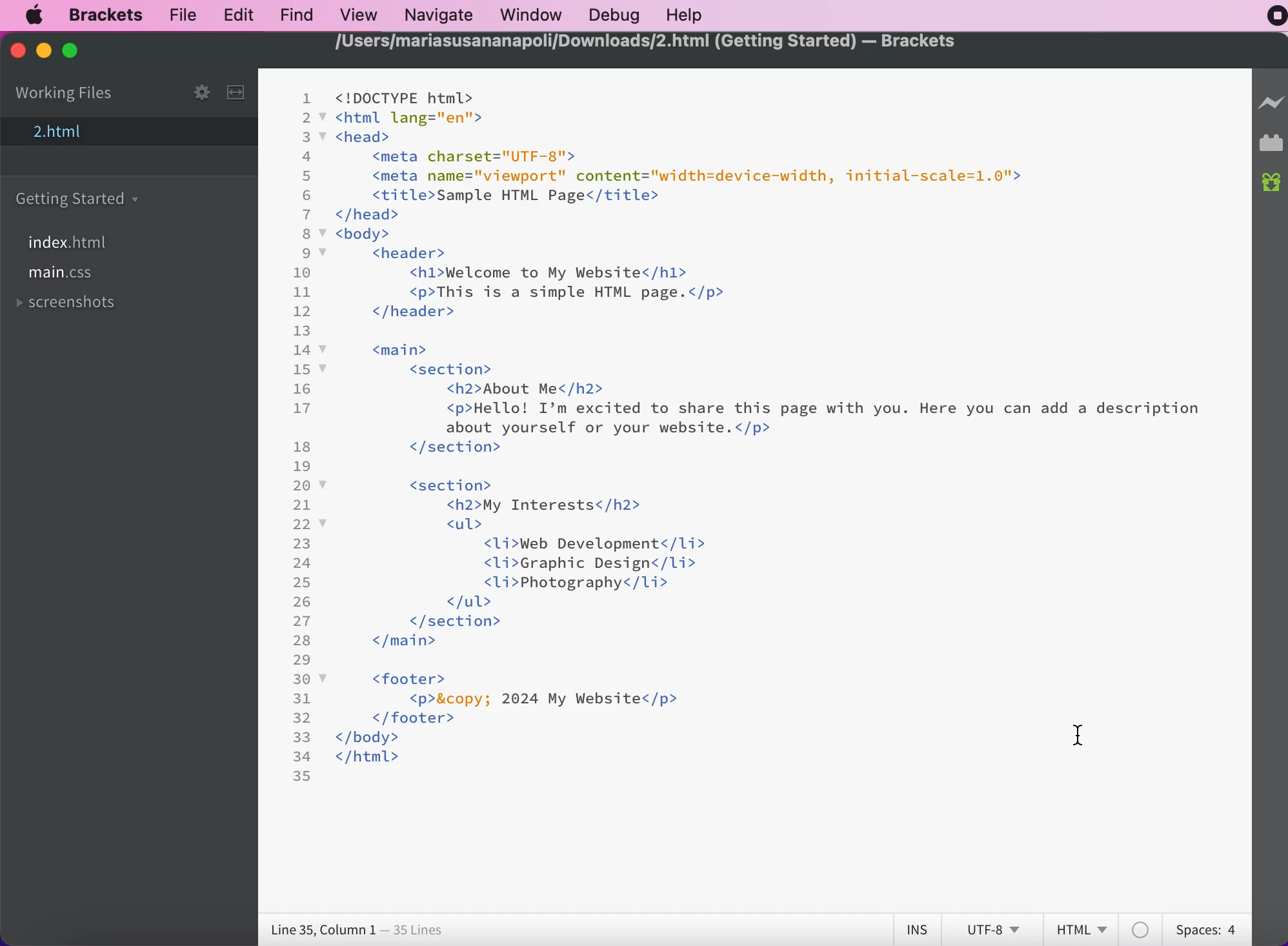 This screenshot has width=1288, height=946. What do you see at coordinates (1269, 180) in the screenshot?
I see `new builds of bracket available` at bounding box center [1269, 180].